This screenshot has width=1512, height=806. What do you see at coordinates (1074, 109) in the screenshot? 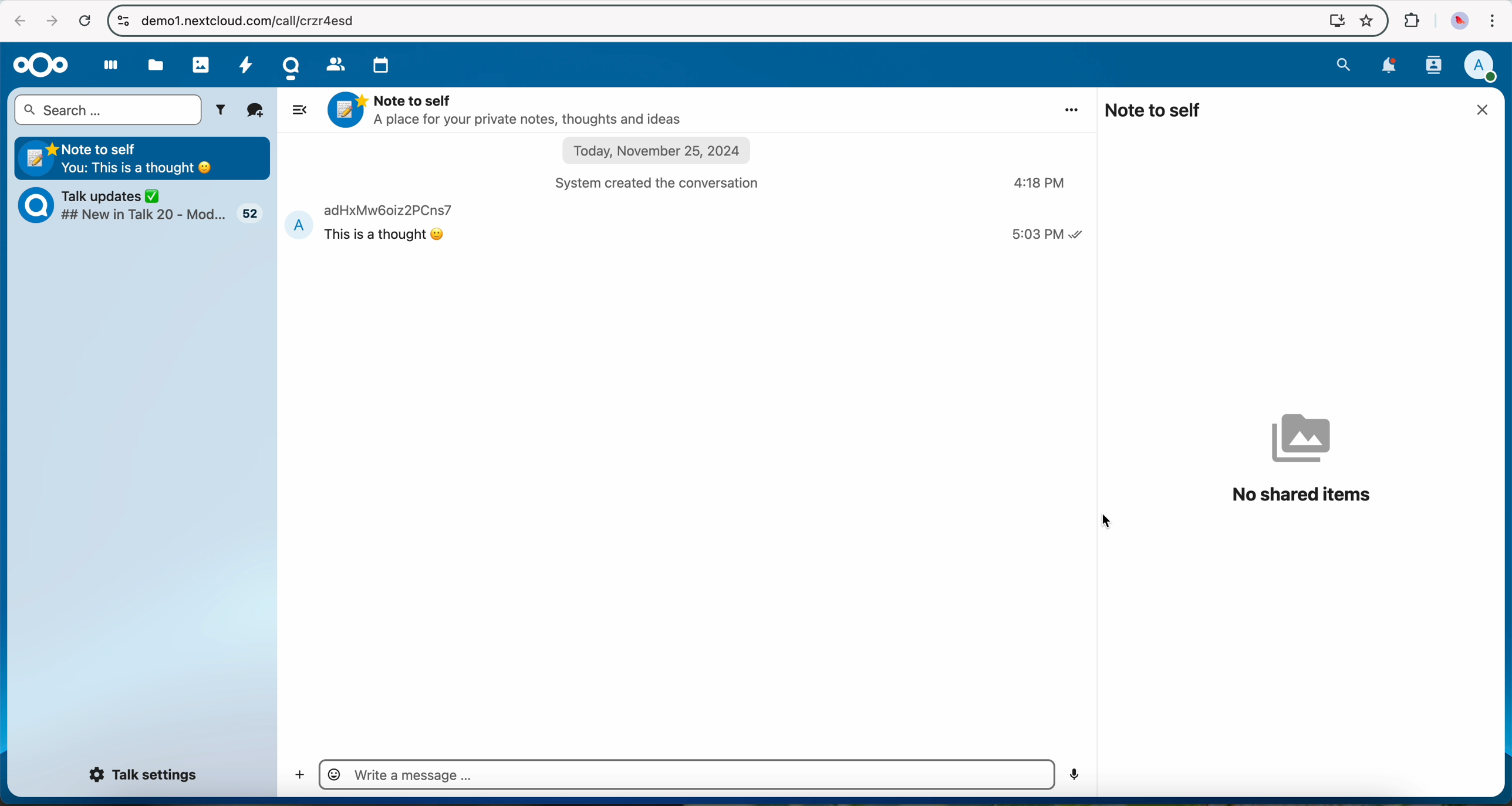
I see `more options` at bounding box center [1074, 109].